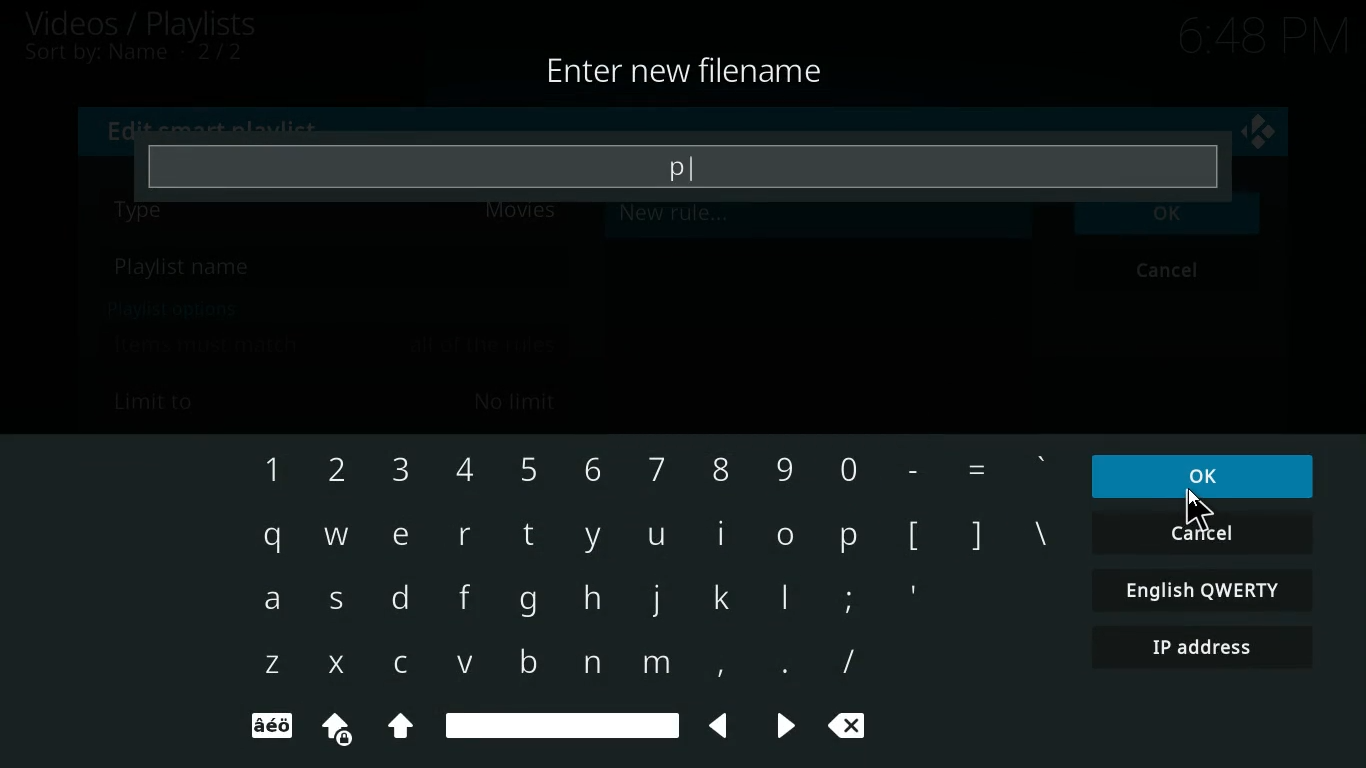  Describe the element at coordinates (458, 471) in the screenshot. I see `4` at that location.